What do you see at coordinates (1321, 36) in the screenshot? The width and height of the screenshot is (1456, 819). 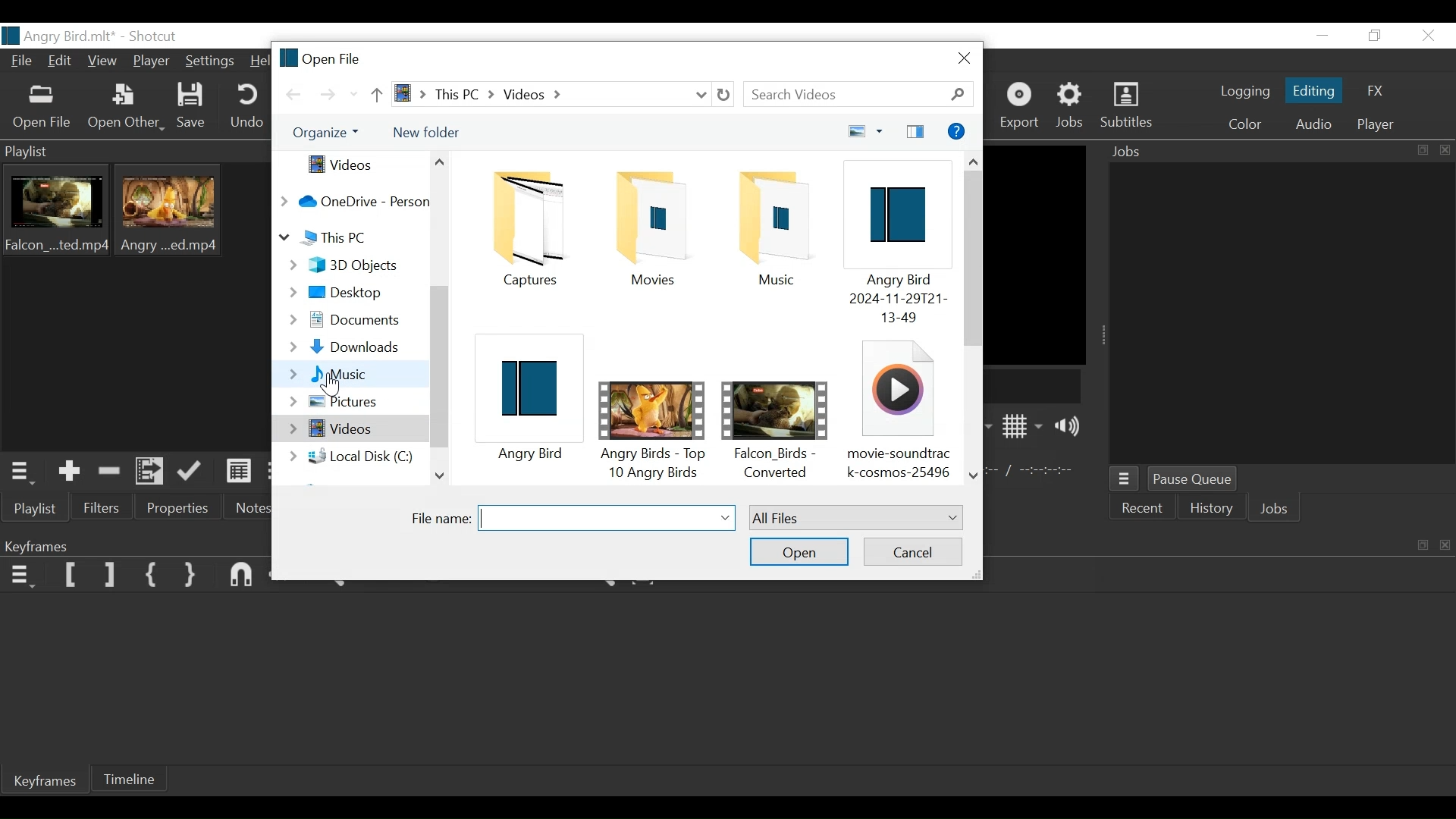 I see `Minimize` at bounding box center [1321, 36].